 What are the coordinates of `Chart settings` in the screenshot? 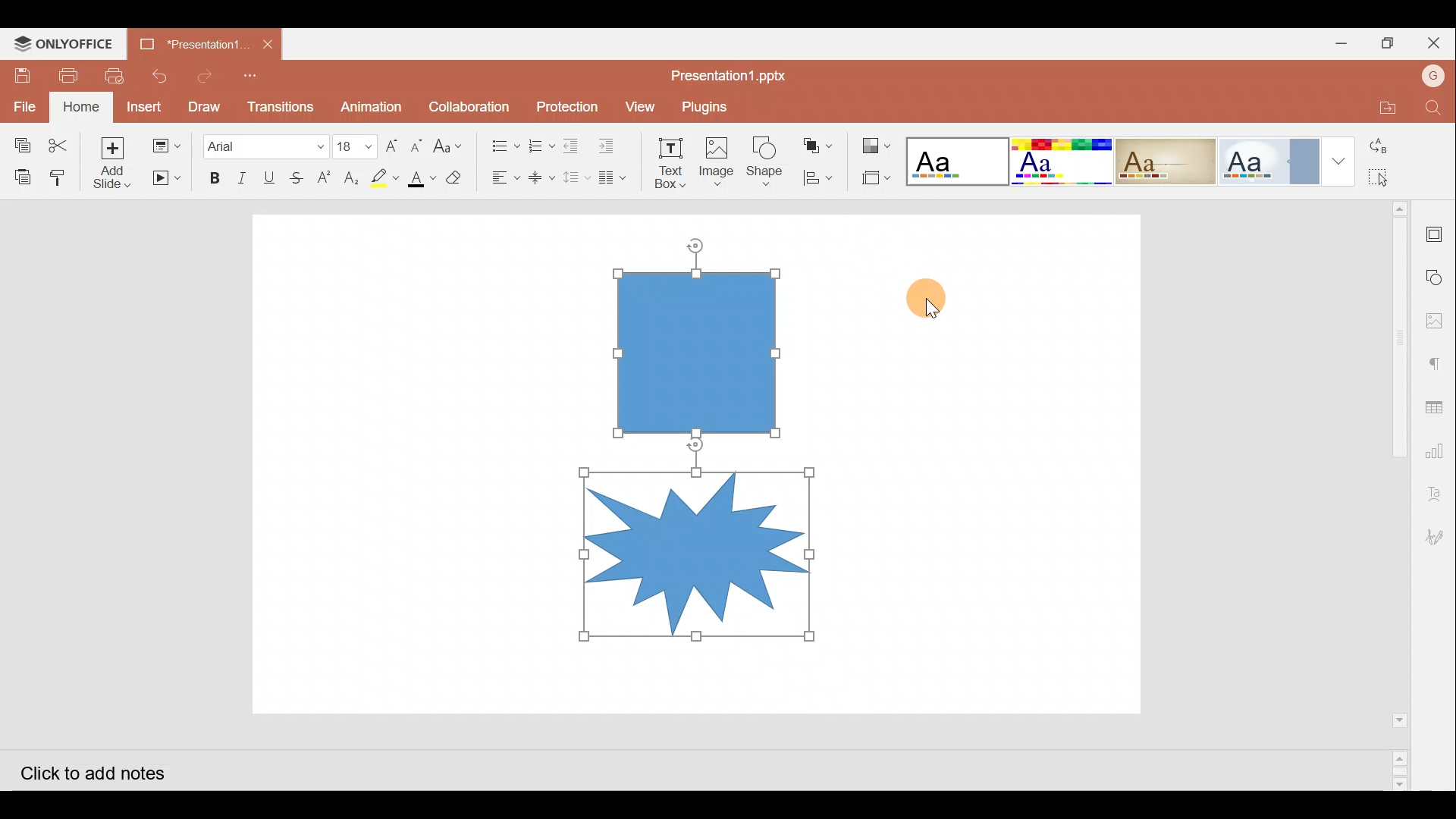 It's located at (1442, 454).